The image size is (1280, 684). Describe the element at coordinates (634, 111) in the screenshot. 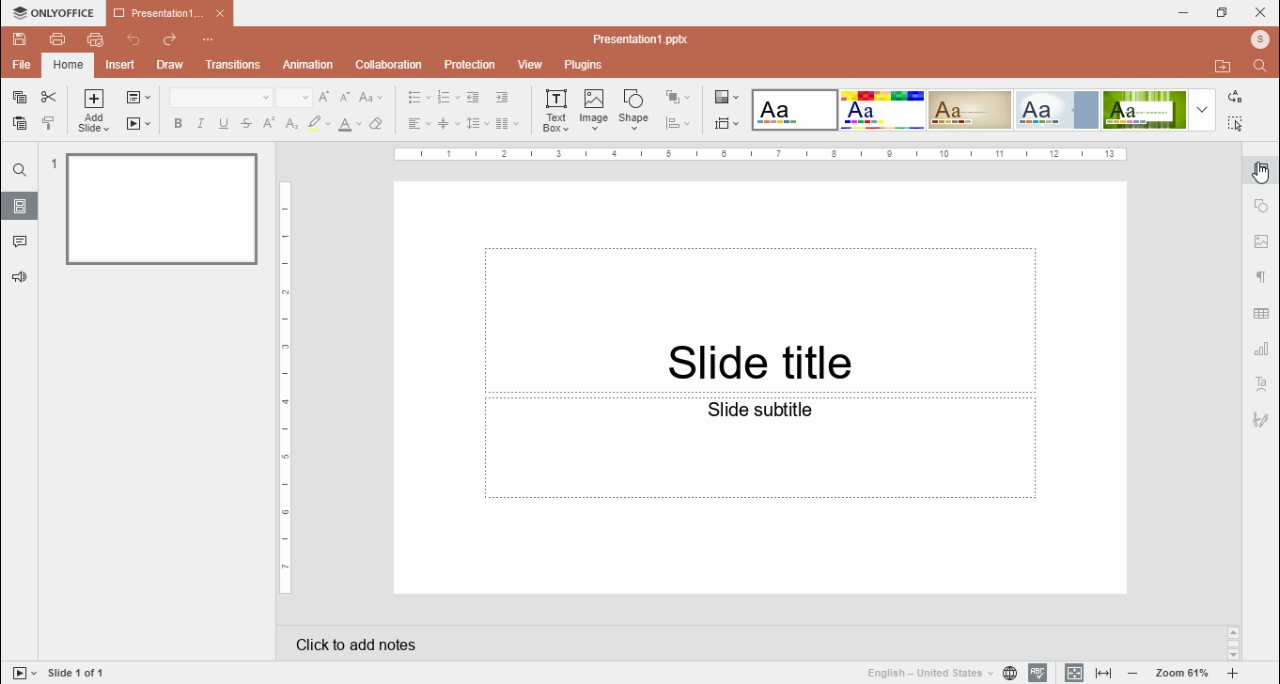

I see `shape` at that location.